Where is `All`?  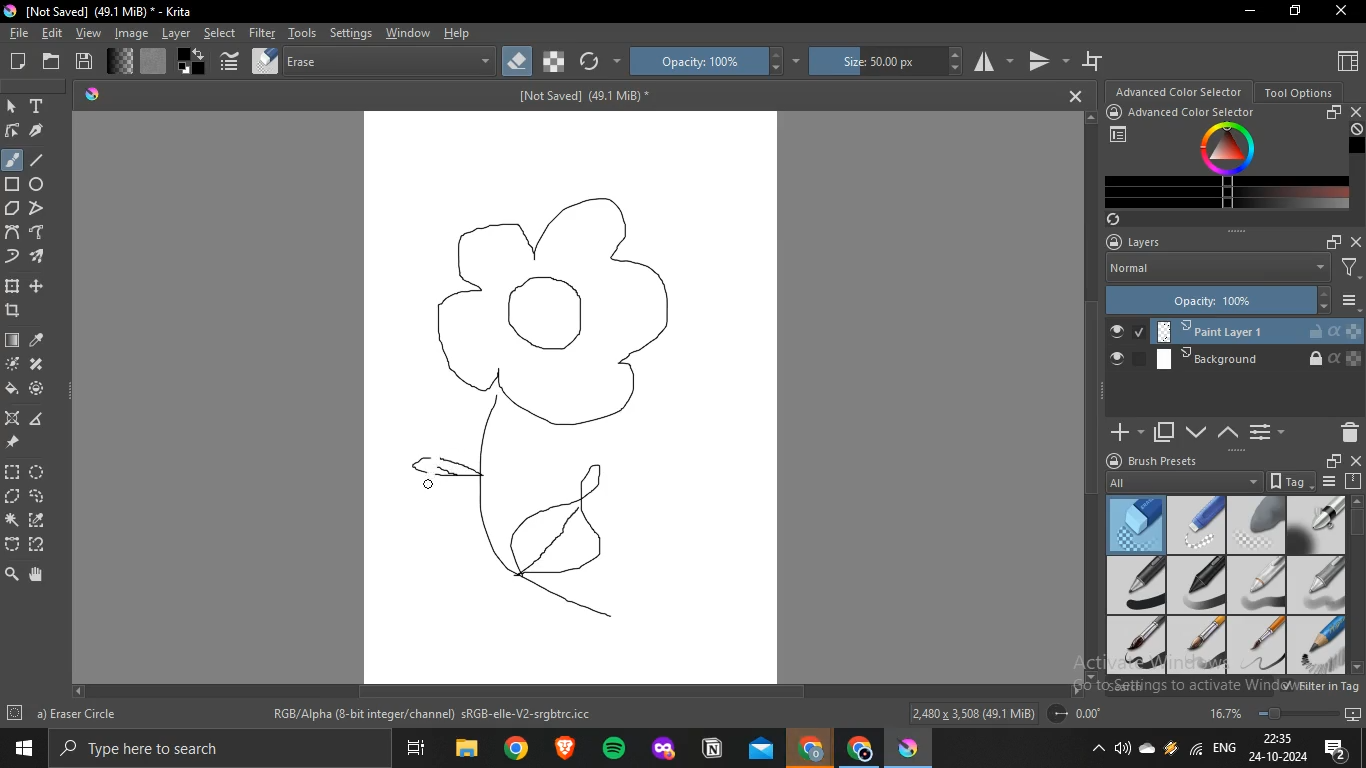 All is located at coordinates (1182, 480).